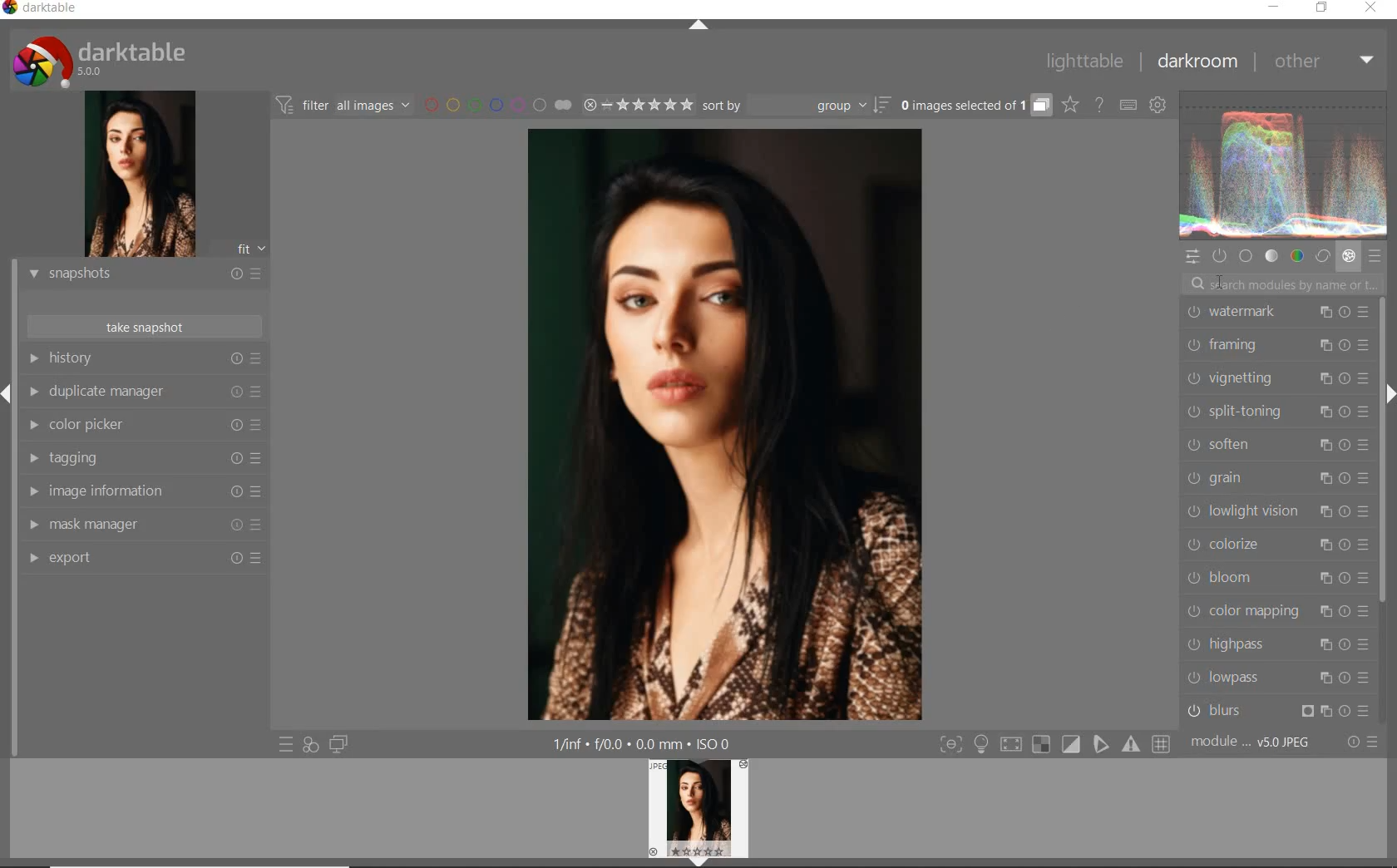  What do you see at coordinates (1383, 450) in the screenshot?
I see `scrollbar` at bounding box center [1383, 450].